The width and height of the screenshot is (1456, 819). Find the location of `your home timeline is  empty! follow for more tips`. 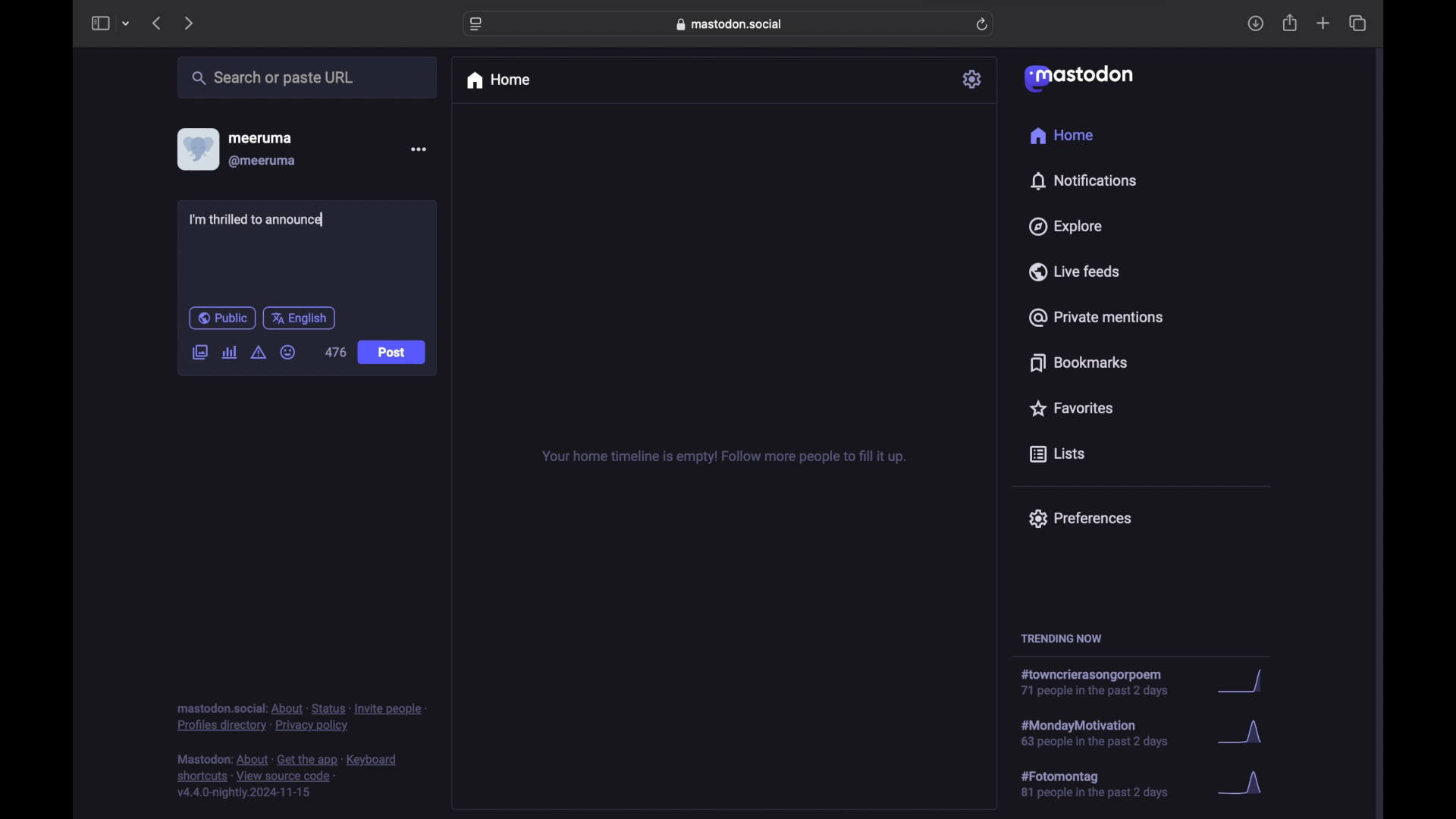

your home timeline is  empty! follow for more tips is located at coordinates (722, 457).